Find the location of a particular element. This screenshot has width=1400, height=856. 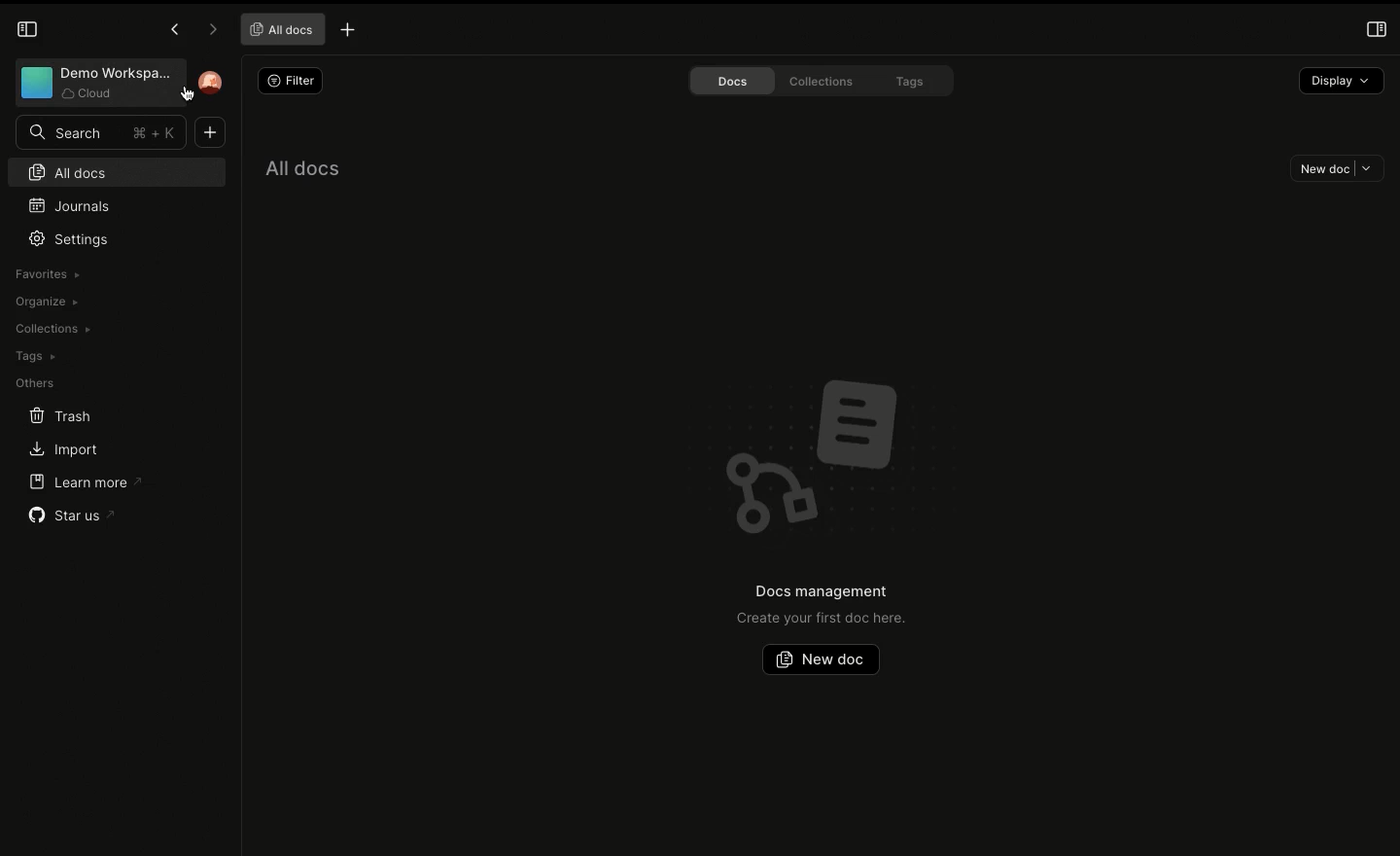

All docs is located at coordinates (302, 163).